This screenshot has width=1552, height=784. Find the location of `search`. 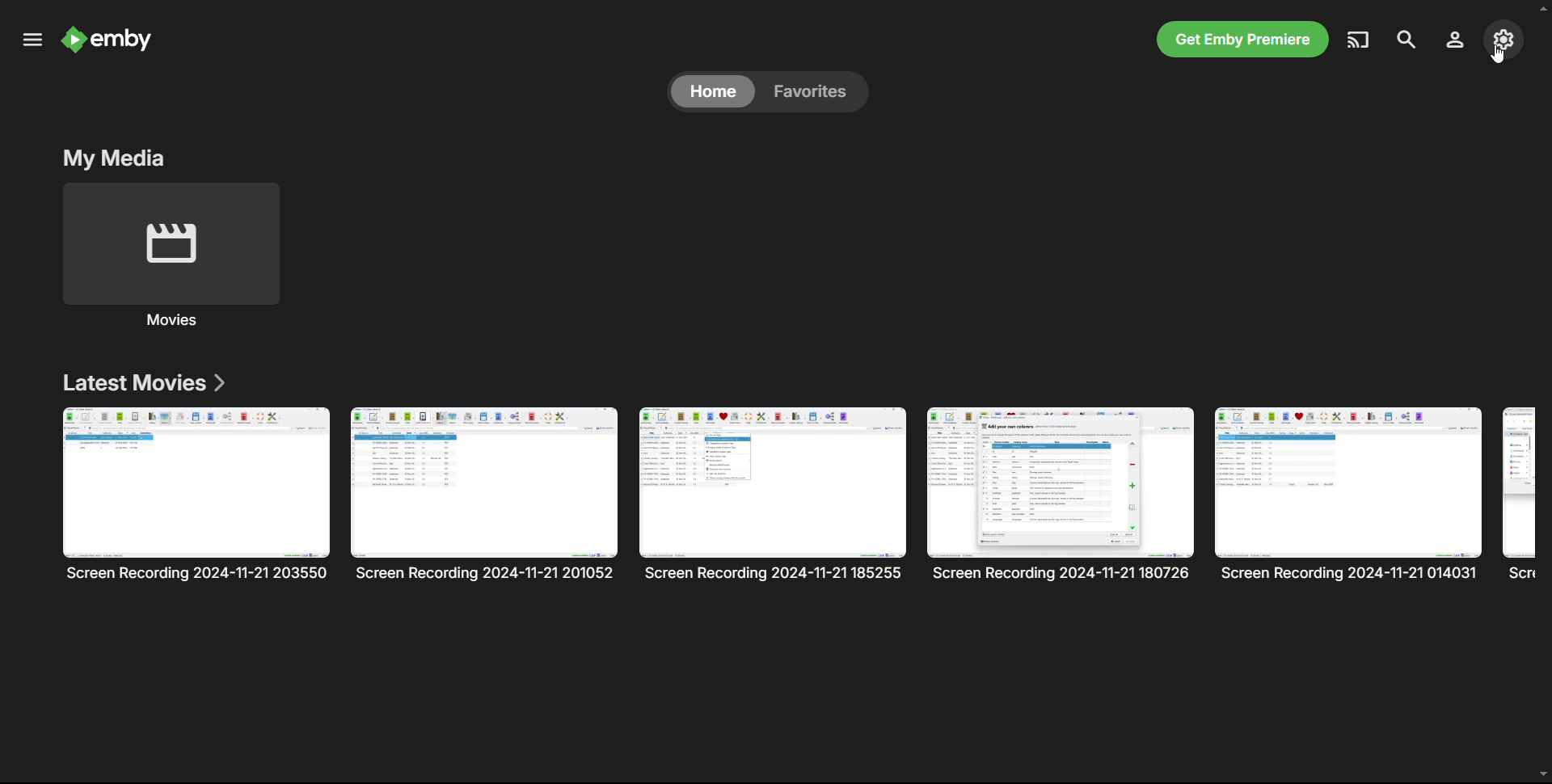

search is located at coordinates (1406, 39).